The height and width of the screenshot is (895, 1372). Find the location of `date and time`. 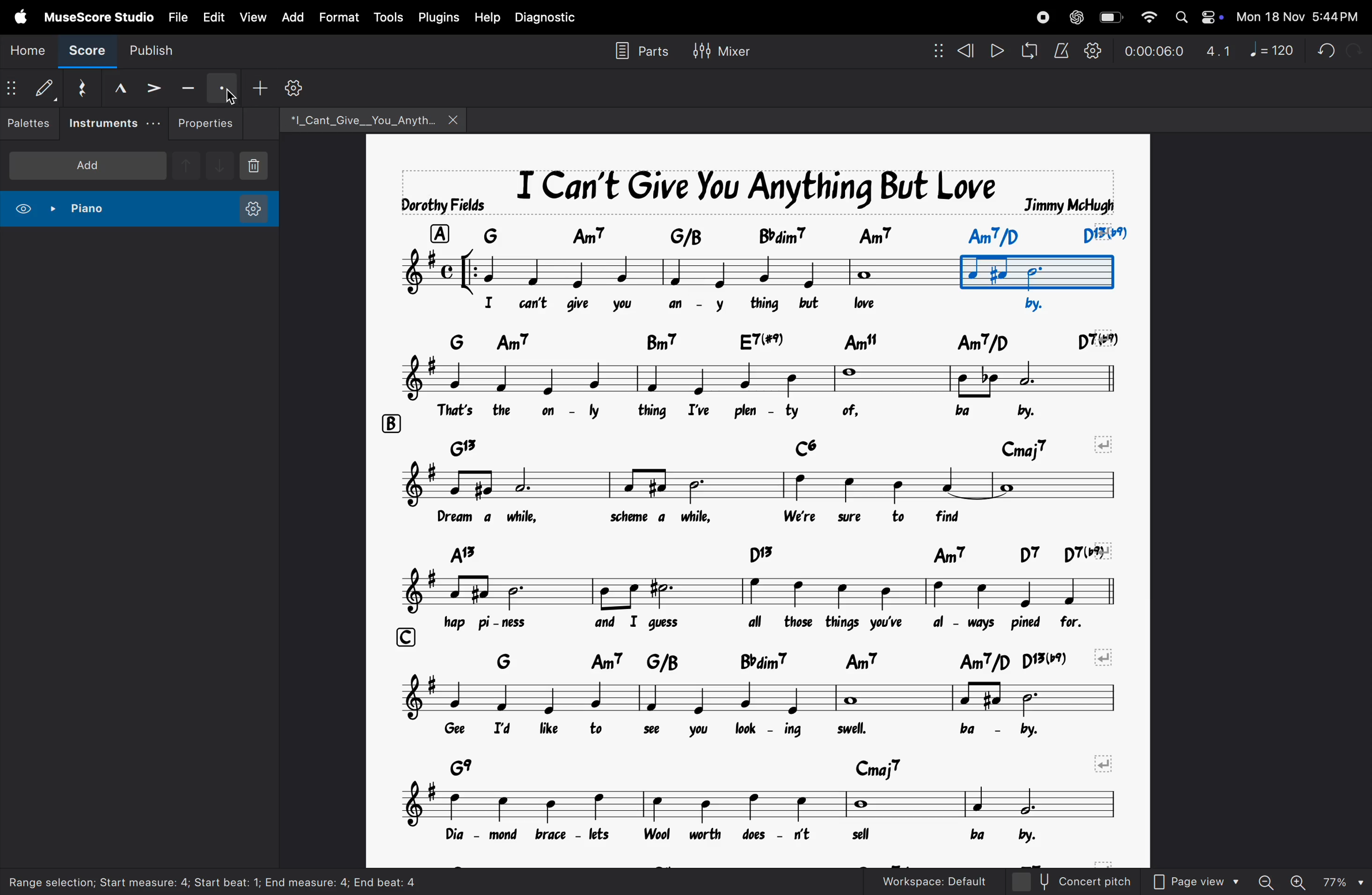

date and time is located at coordinates (1296, 16).